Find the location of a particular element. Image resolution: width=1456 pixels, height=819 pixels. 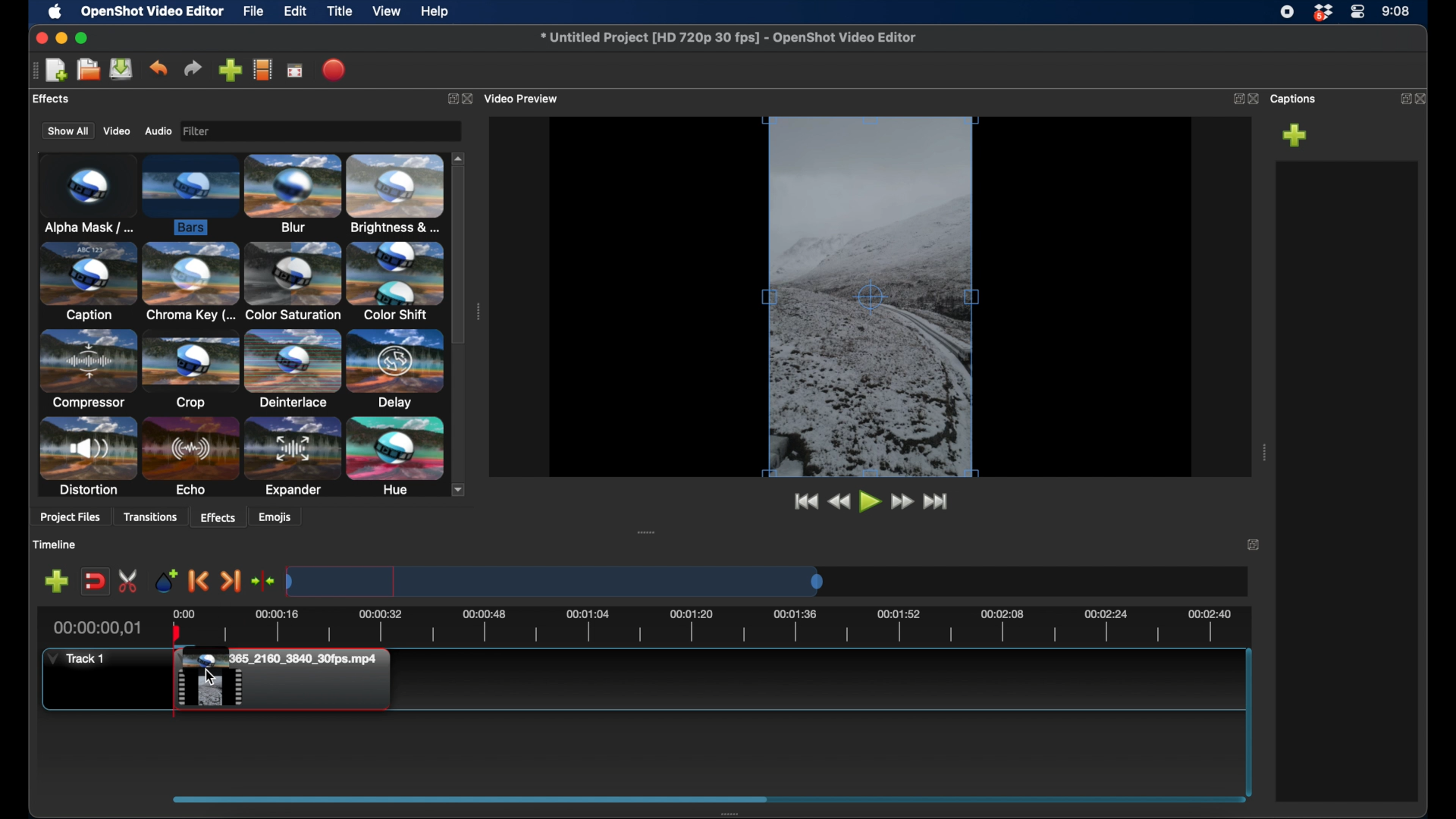

brightness & contrast is located at coordinates (397, 194).